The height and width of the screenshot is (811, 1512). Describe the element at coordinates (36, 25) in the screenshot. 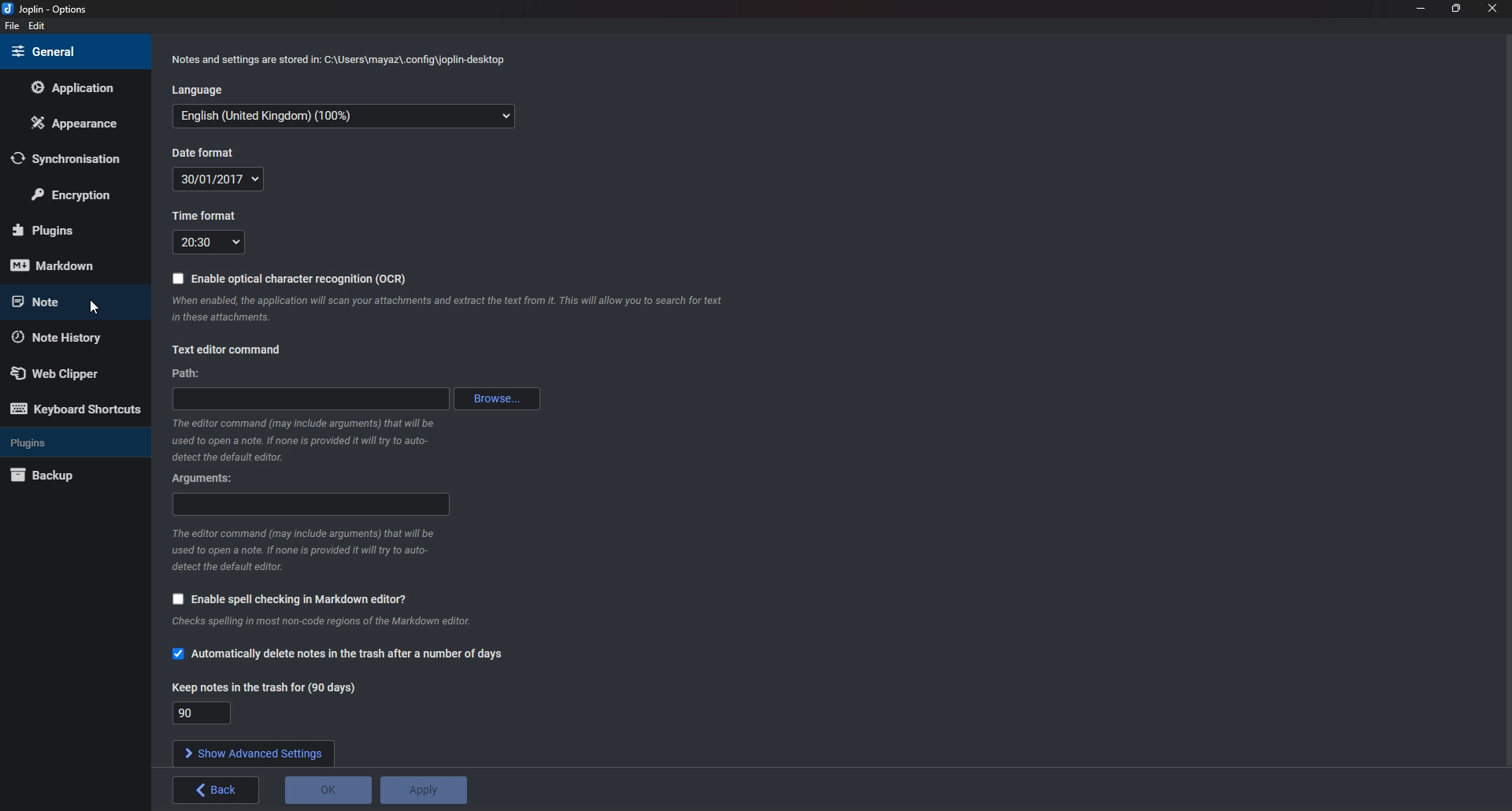

I see `eDIT` at that location.